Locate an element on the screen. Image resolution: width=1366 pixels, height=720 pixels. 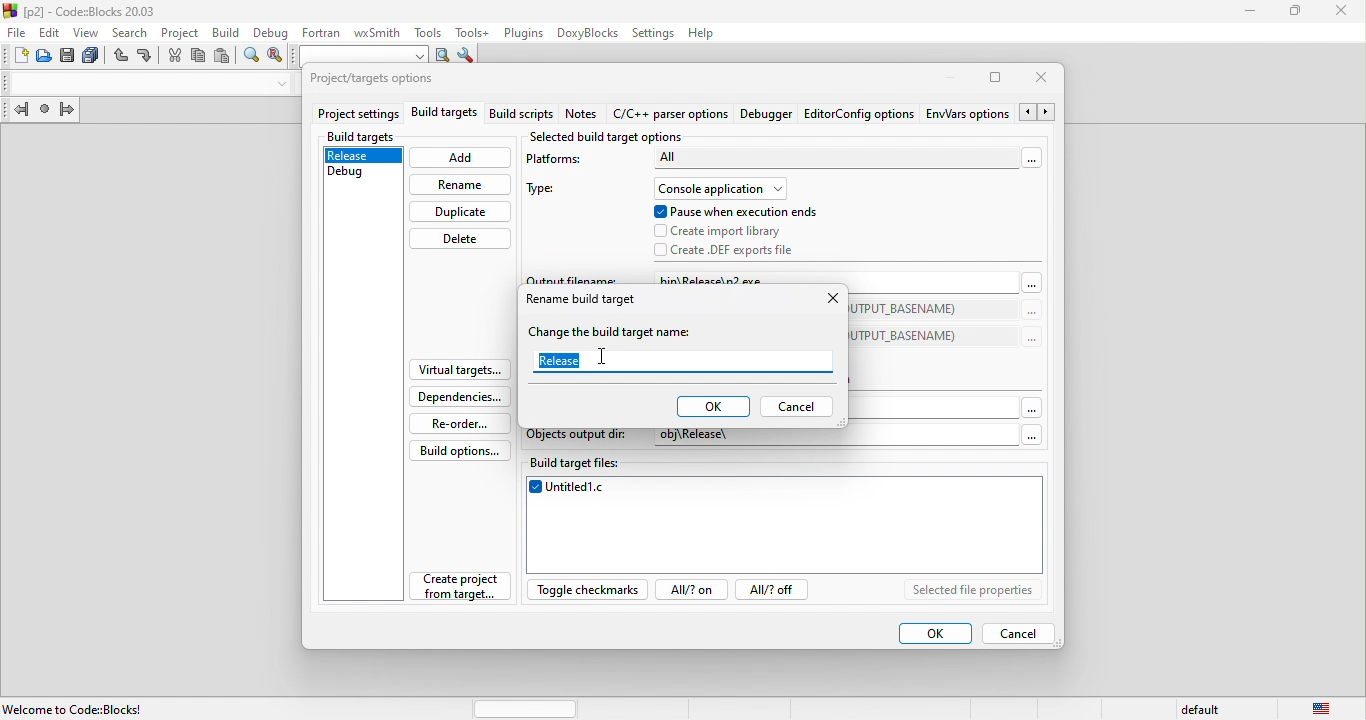
find is located at coordinates (252, 58).